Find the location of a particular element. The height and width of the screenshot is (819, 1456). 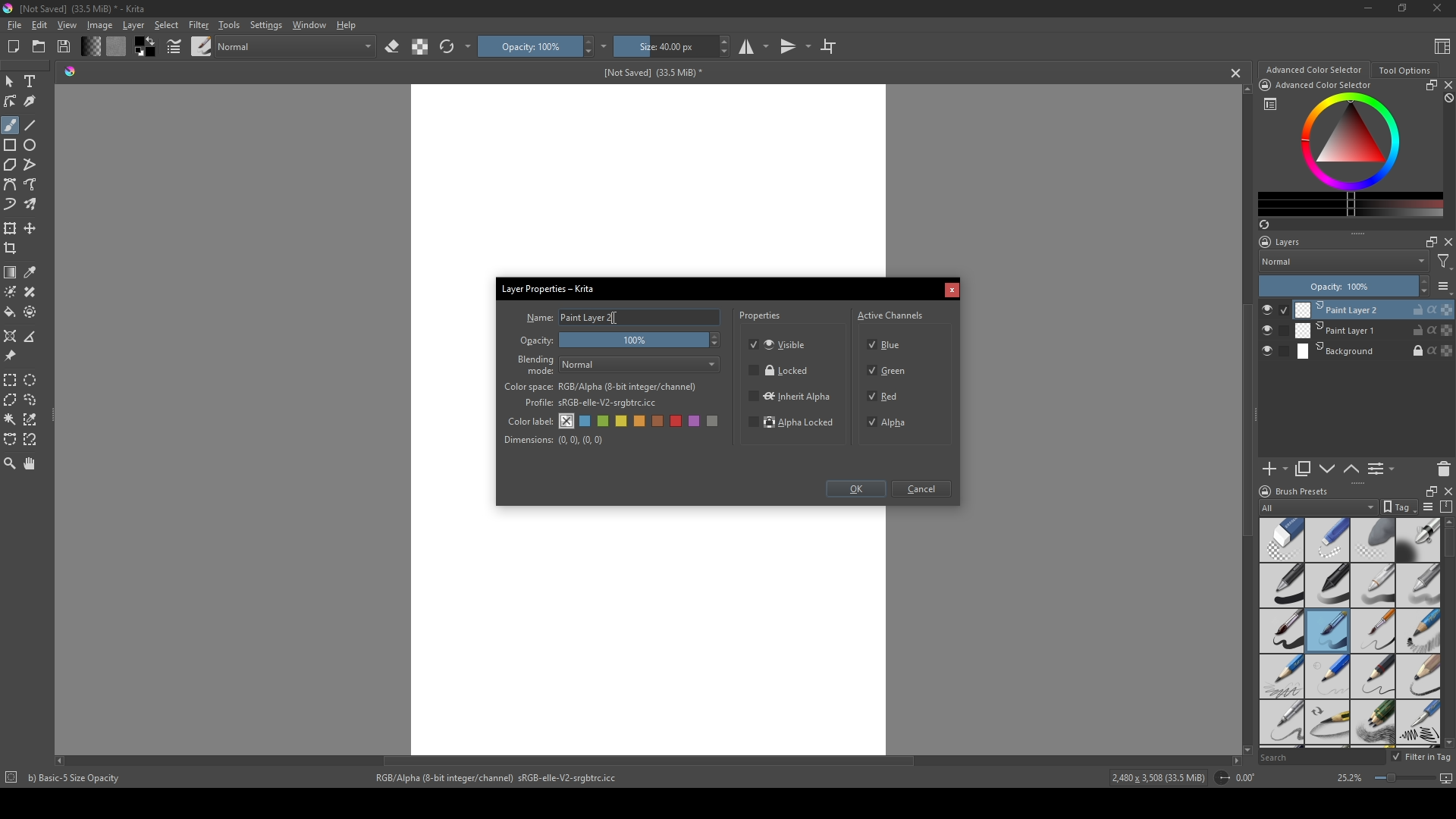

close is located at coordinates (1447, 242).